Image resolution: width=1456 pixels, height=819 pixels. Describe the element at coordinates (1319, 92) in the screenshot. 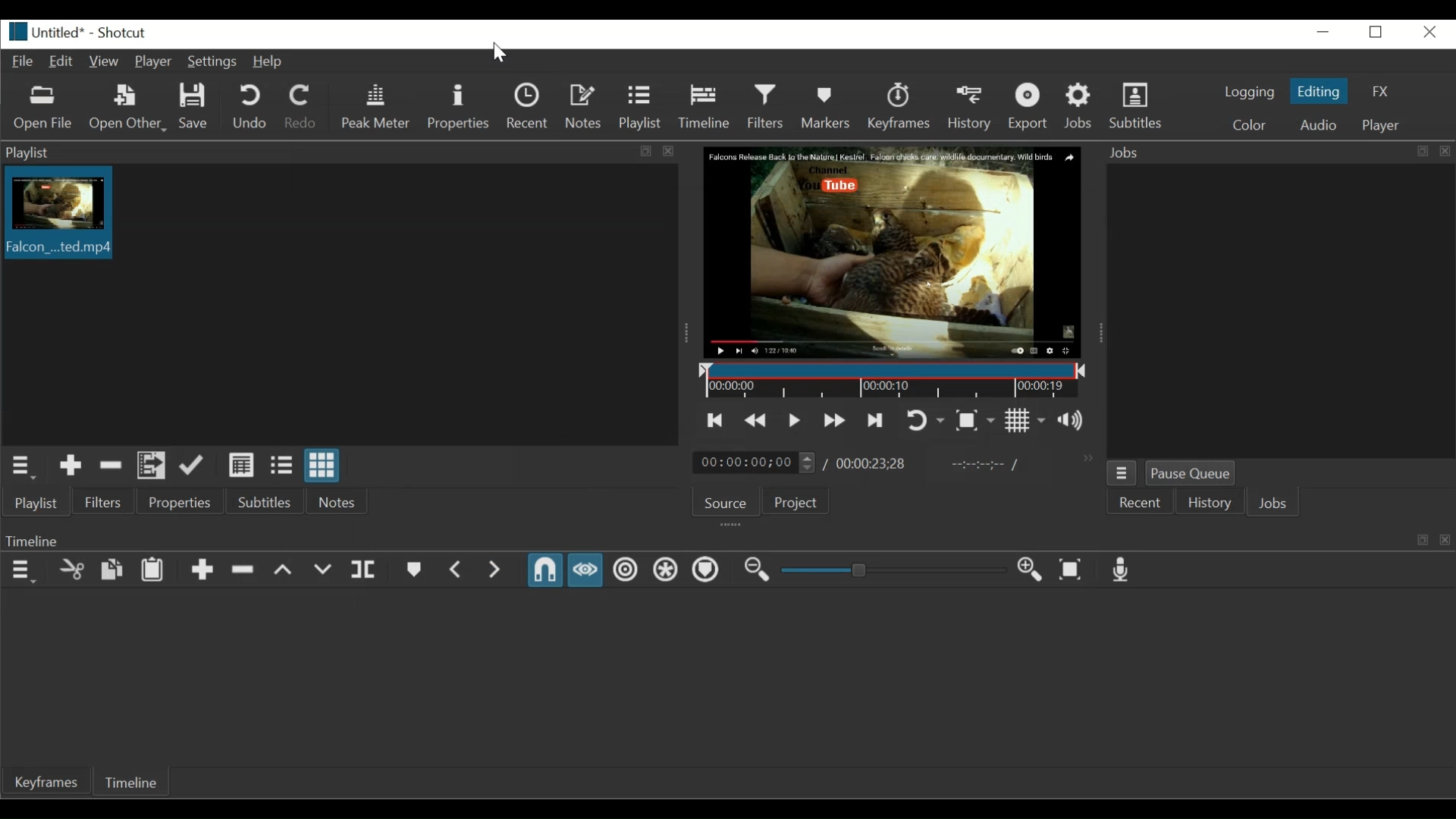

I see `Editing` at that location.